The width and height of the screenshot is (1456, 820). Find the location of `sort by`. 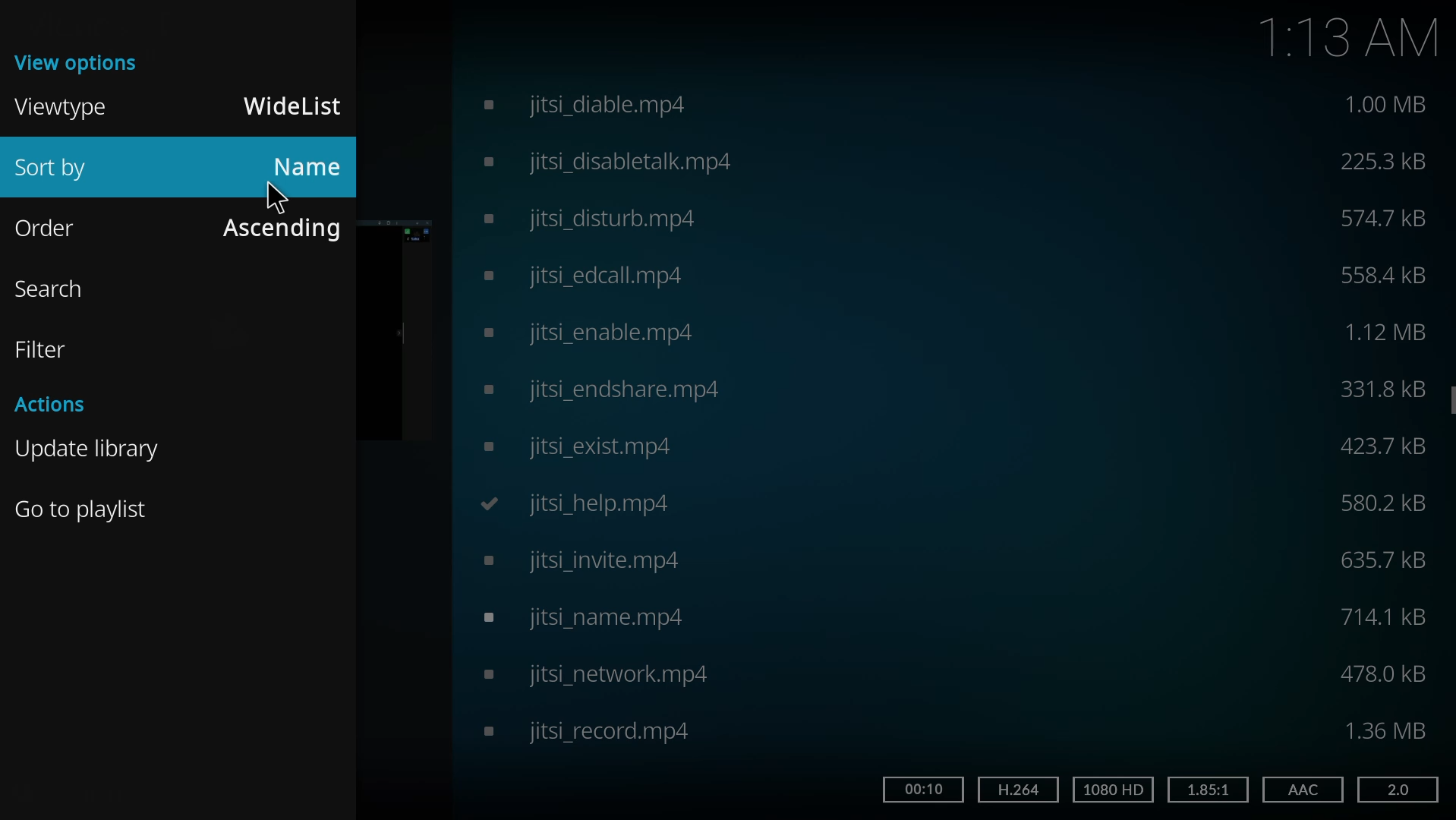

sort by is located at coordinates (64, 170).